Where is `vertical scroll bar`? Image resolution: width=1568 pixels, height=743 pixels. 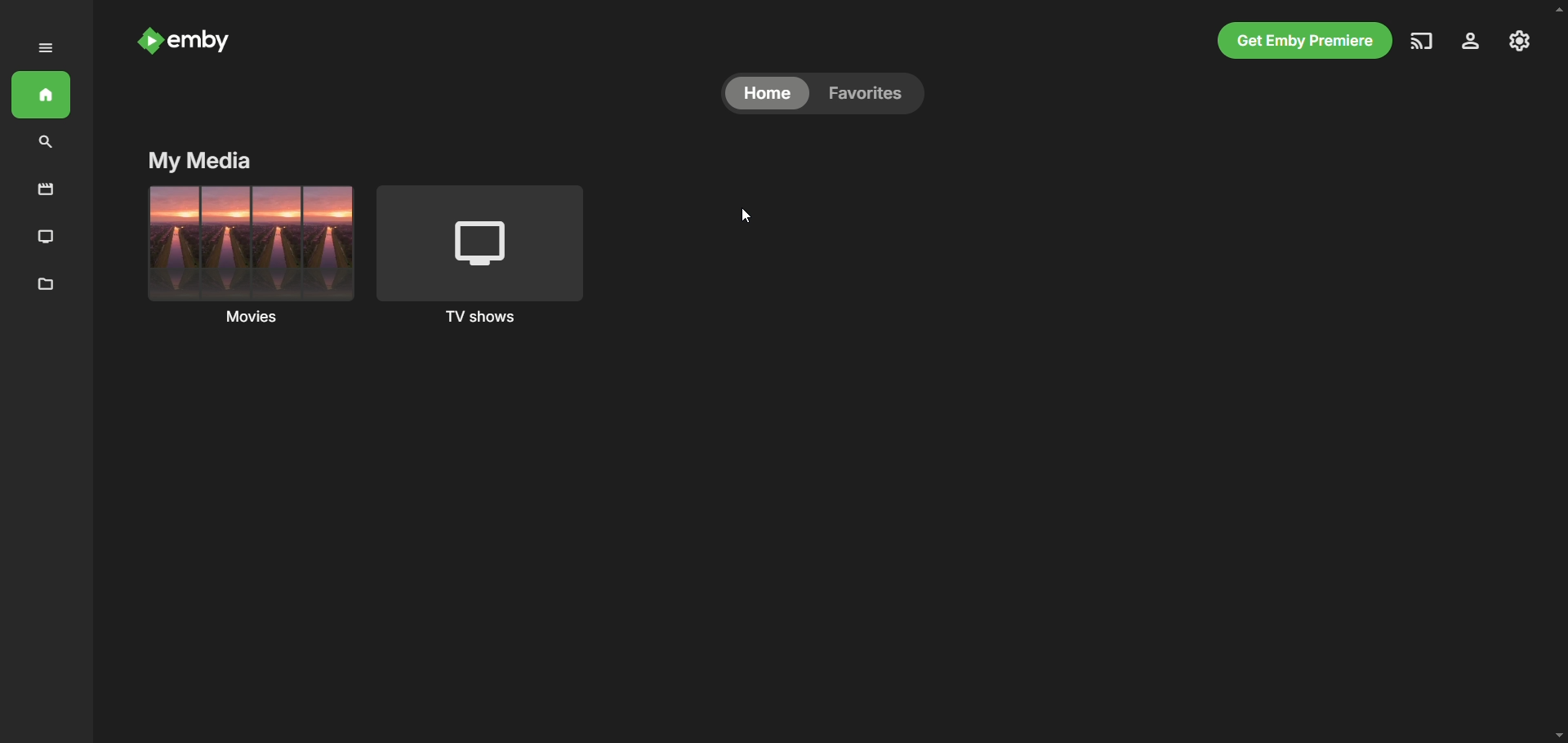
vertical scroll bar is located at coordinates (1558, 374).